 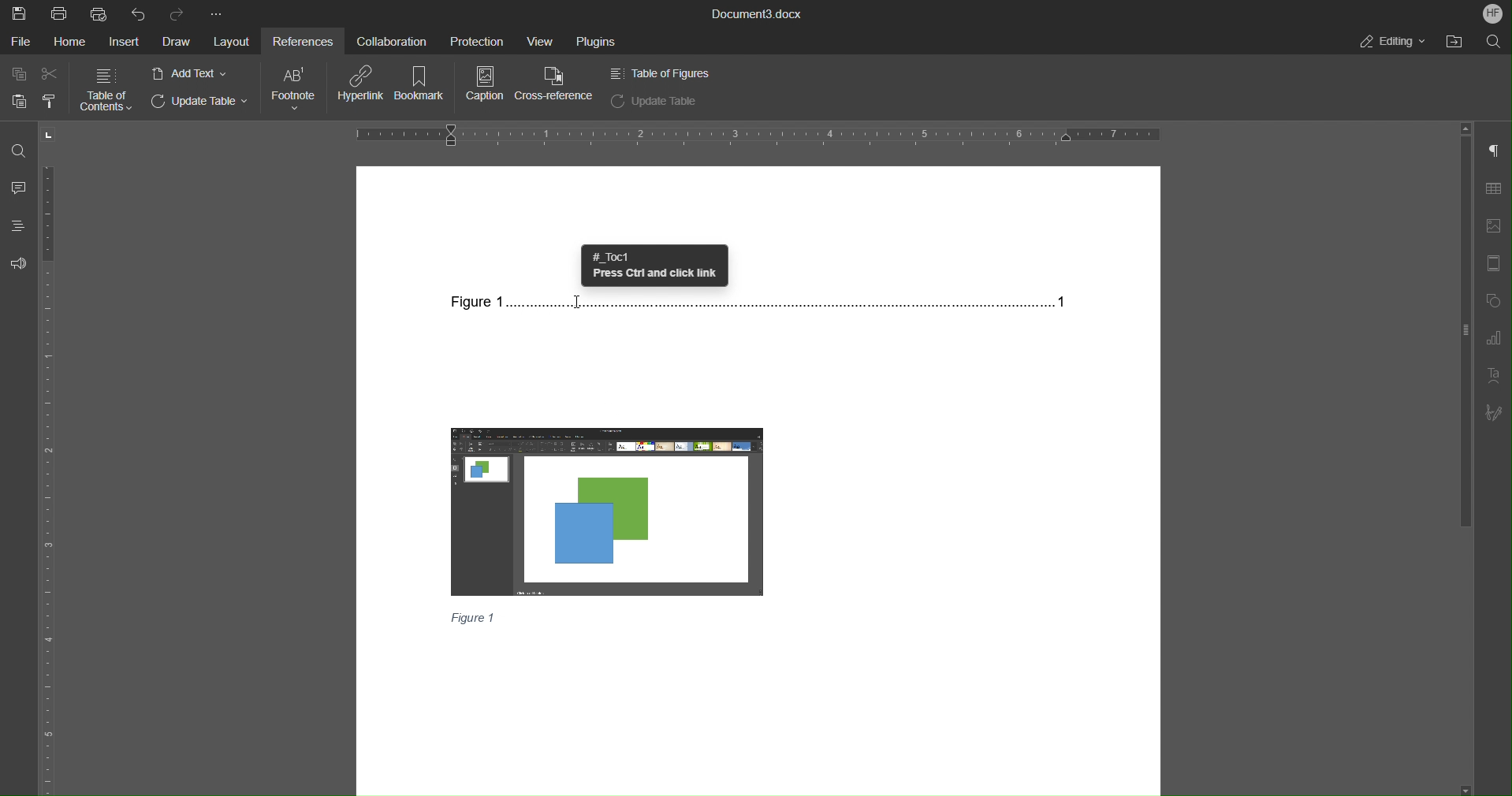 I want to click on Comment, so click(x=18, y=186).